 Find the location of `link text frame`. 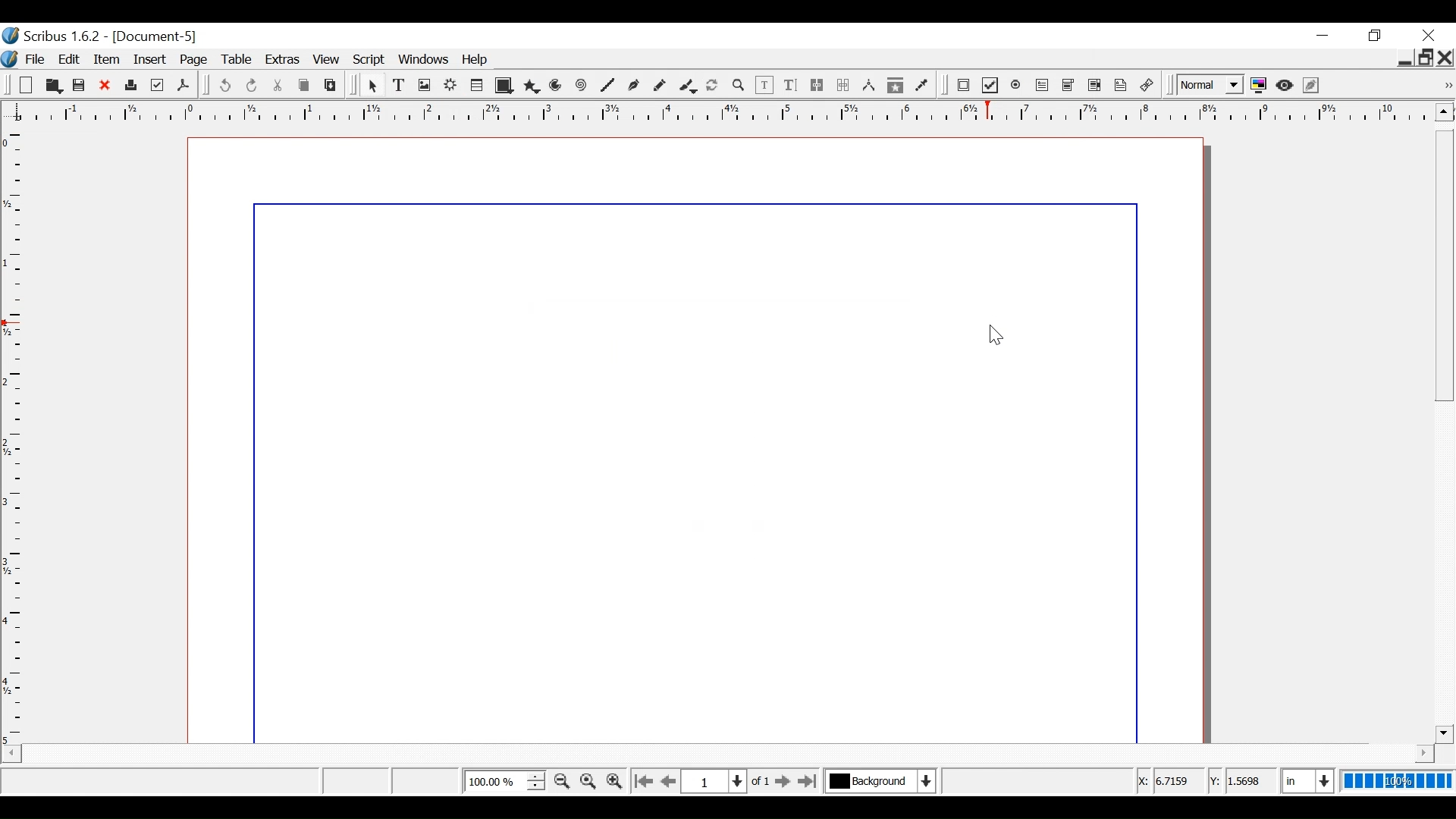

link text frame is located at coordinates (817, 86).